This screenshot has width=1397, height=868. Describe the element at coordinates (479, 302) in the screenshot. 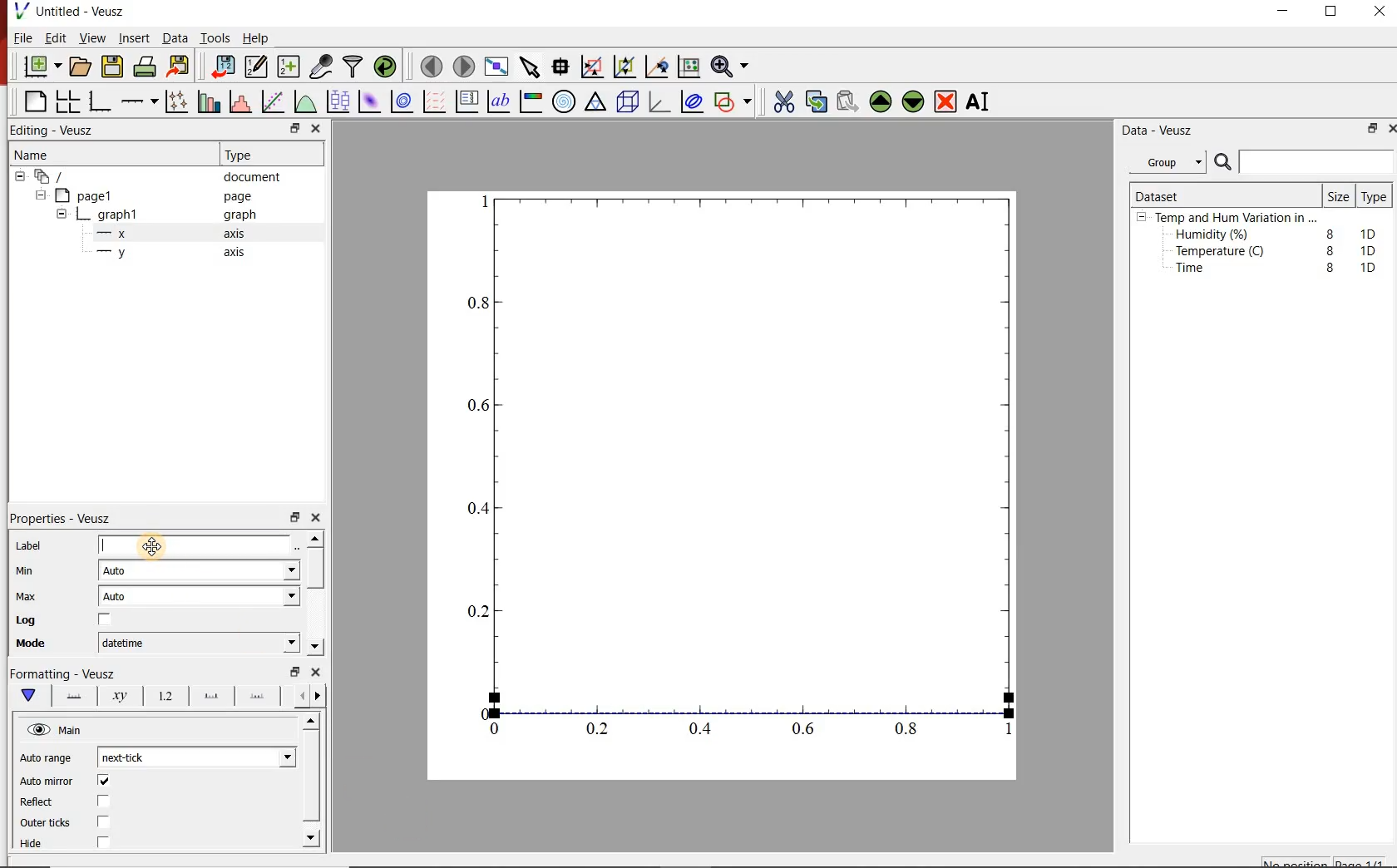

I see `0.8` at that location.